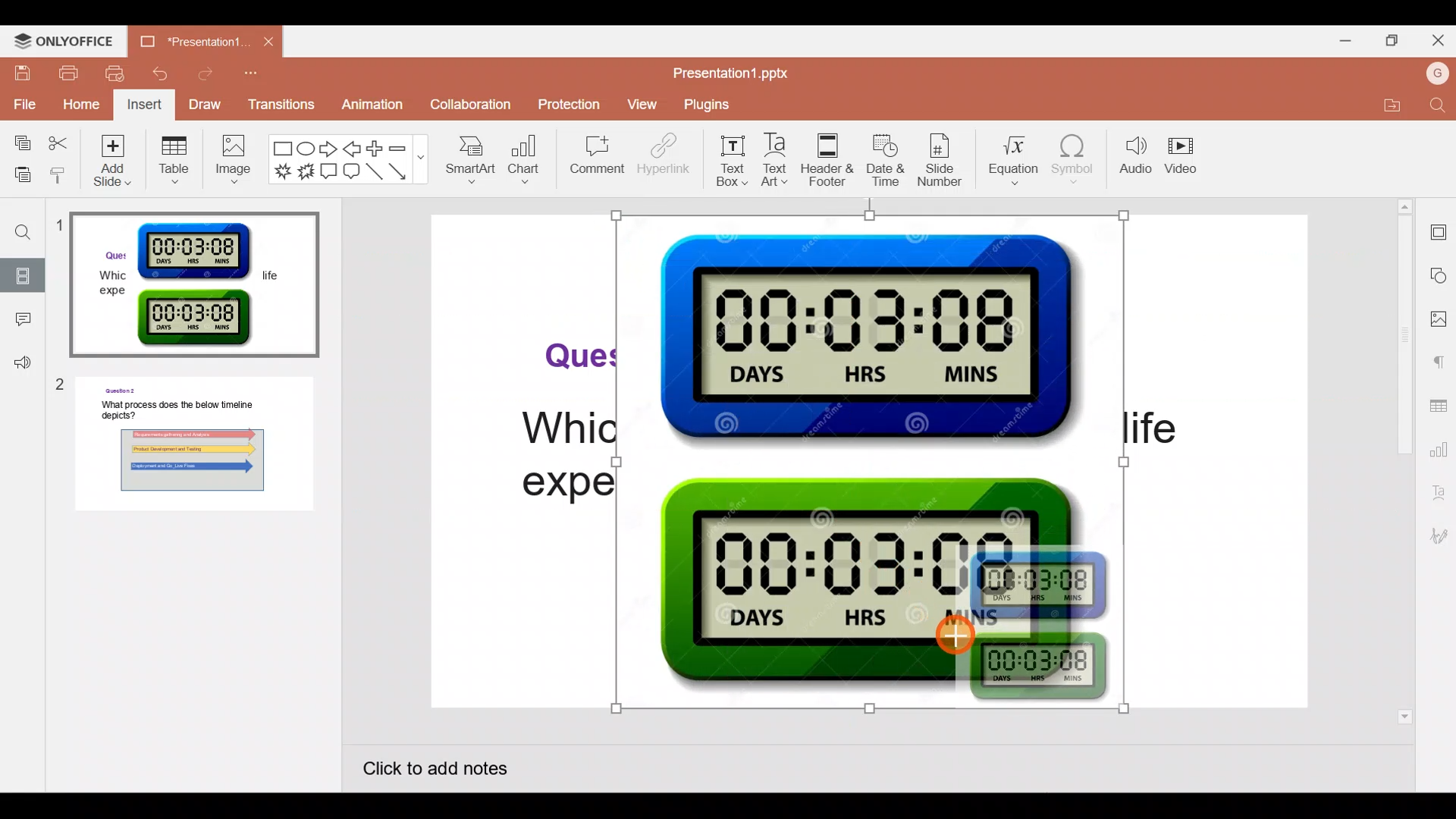 This screenshot has width=1456, height=819. What do you see at coordinates (1342, 39) in the screenshot?
I see `Minimize` at bounding box center [1342, 39].